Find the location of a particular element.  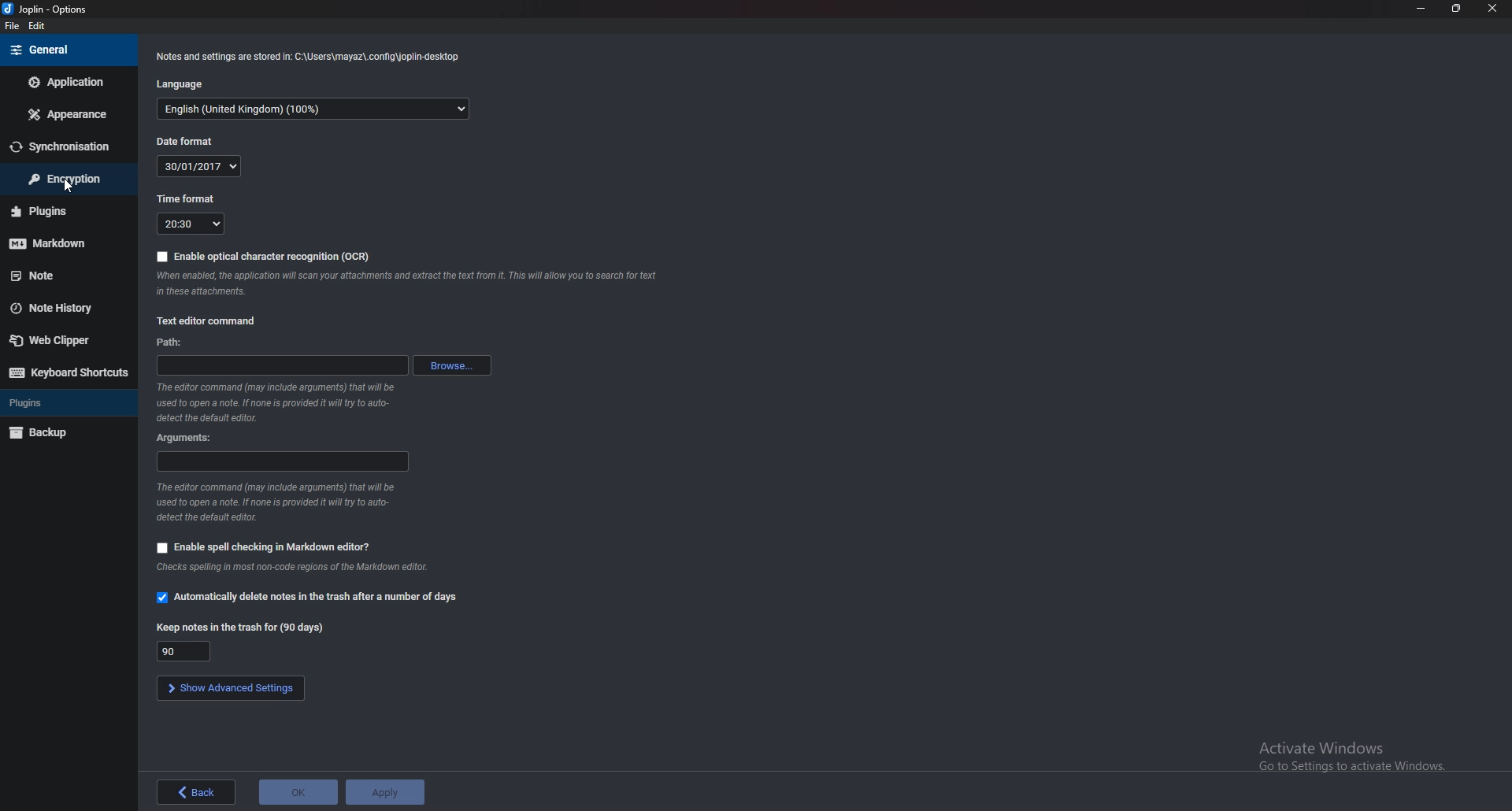

keyboard shortcuts is located at coordinates (67, 372).